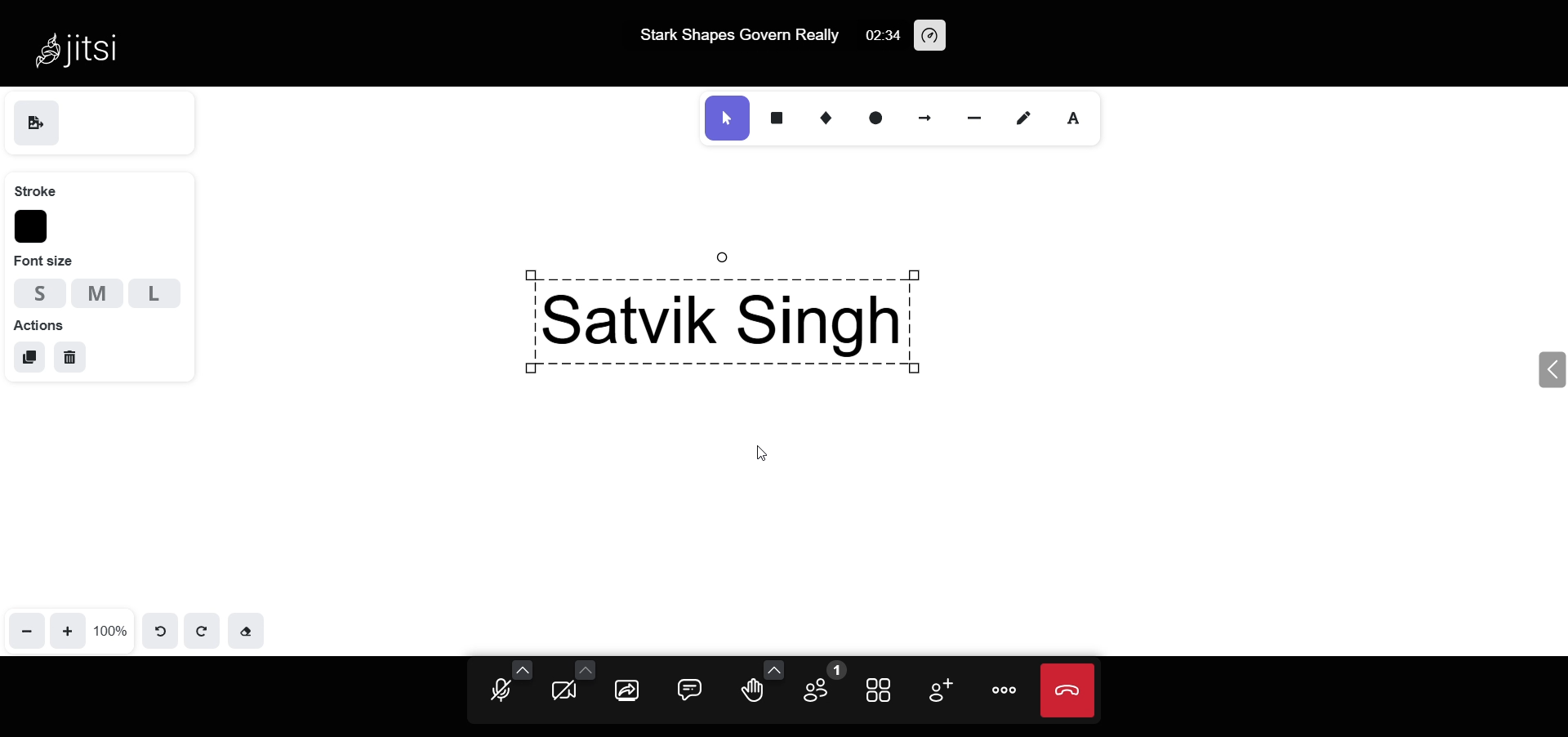 The height and width of the screenshot is (737, 1568). Describe the element at coordinates (876, 118) in the screenshot. I see `ellipse` at that location.